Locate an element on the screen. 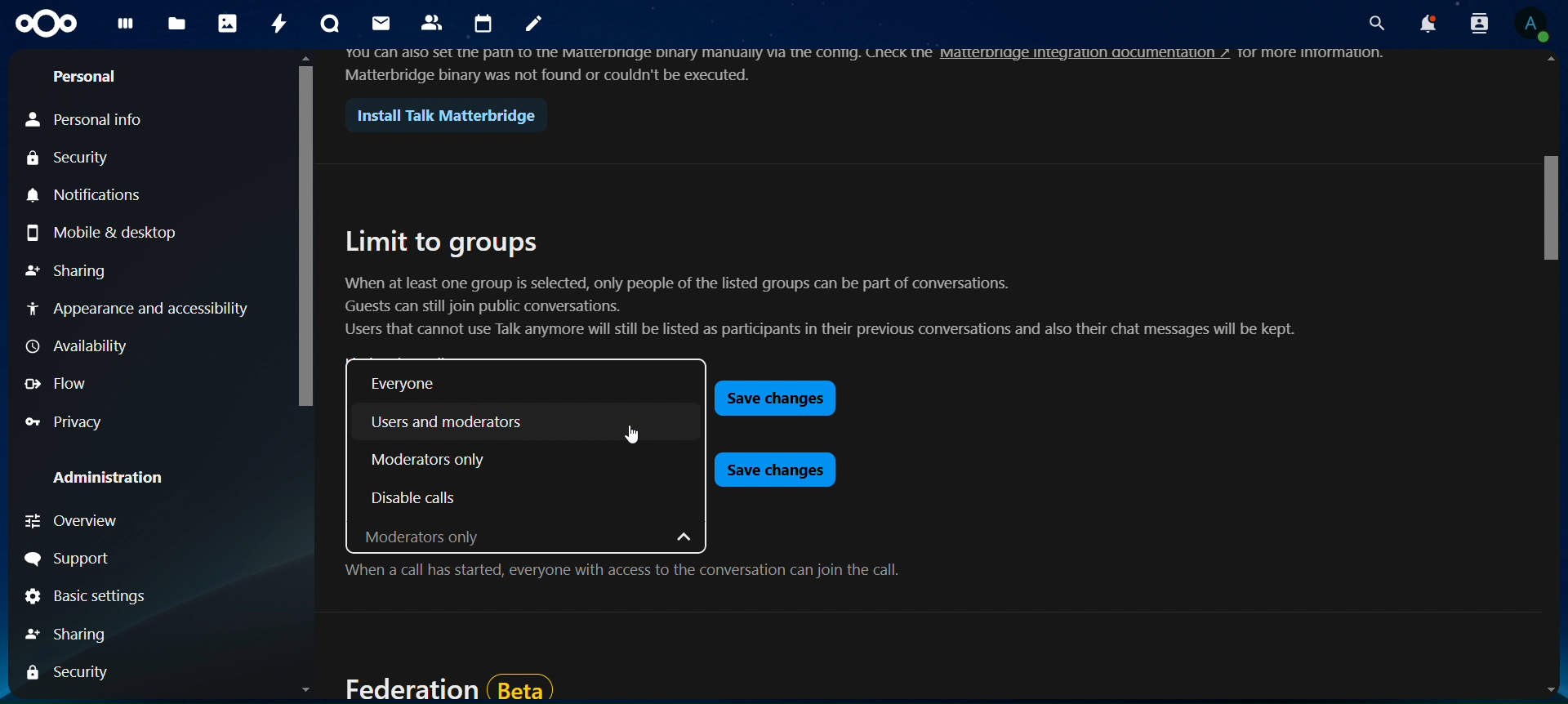 Image resolution: width=1568 pixels, height=704 pixels. sharing is located at coordinates (75, 634).